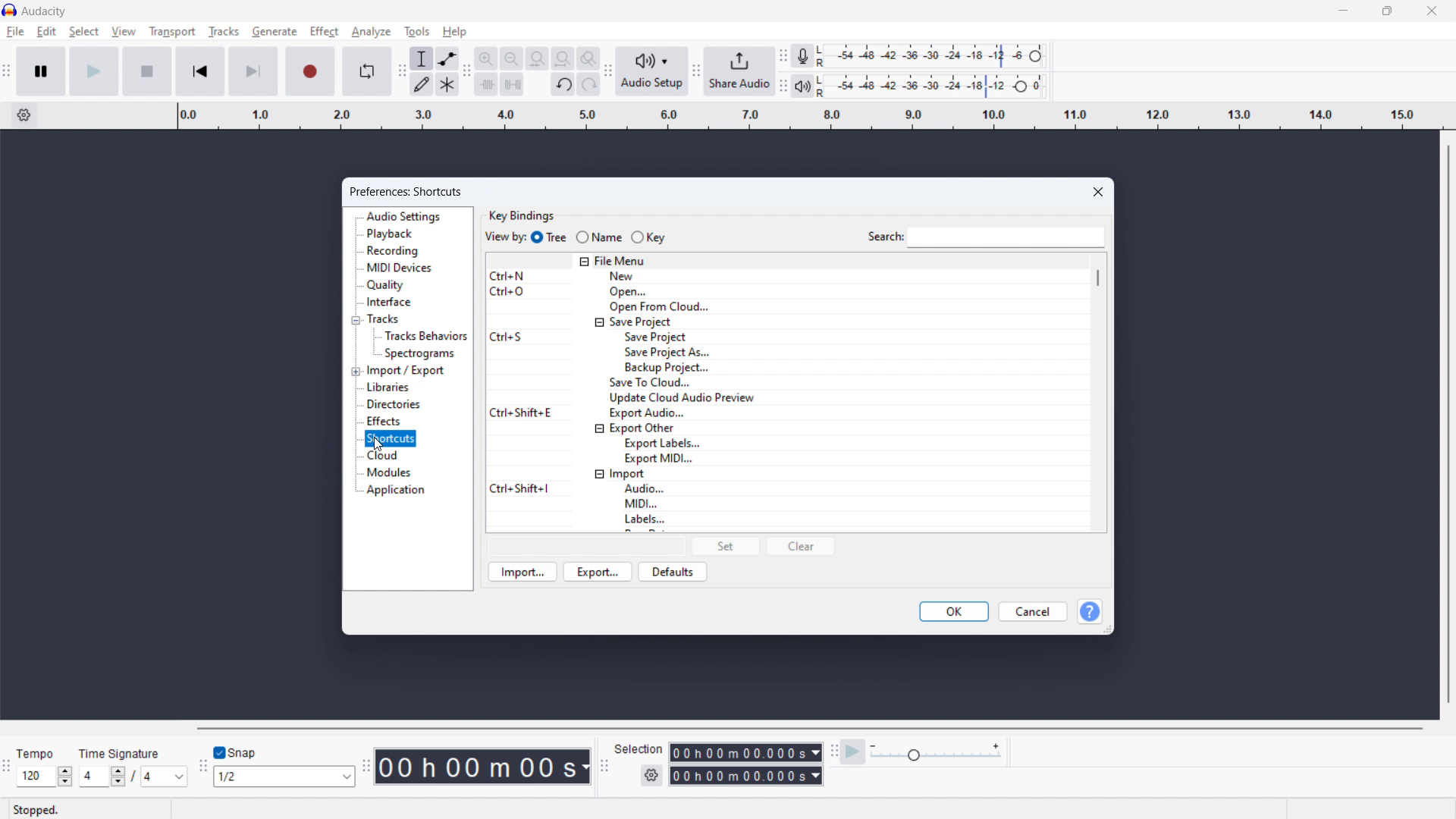  I want to click on Time Signature - indicates section for time signature of audio, so click(119, 753).